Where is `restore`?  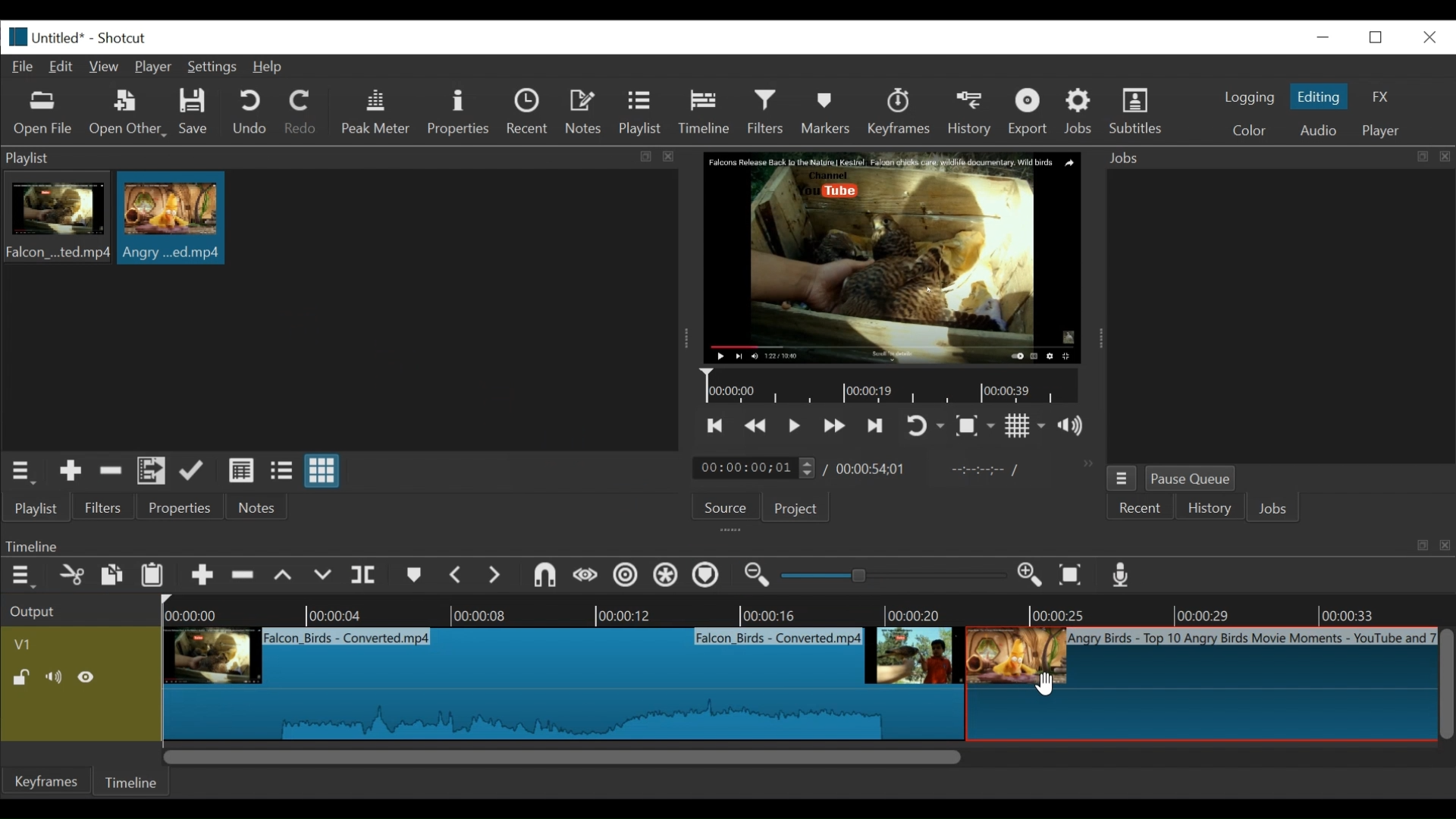
restore is located at coordinates (1380, 36).